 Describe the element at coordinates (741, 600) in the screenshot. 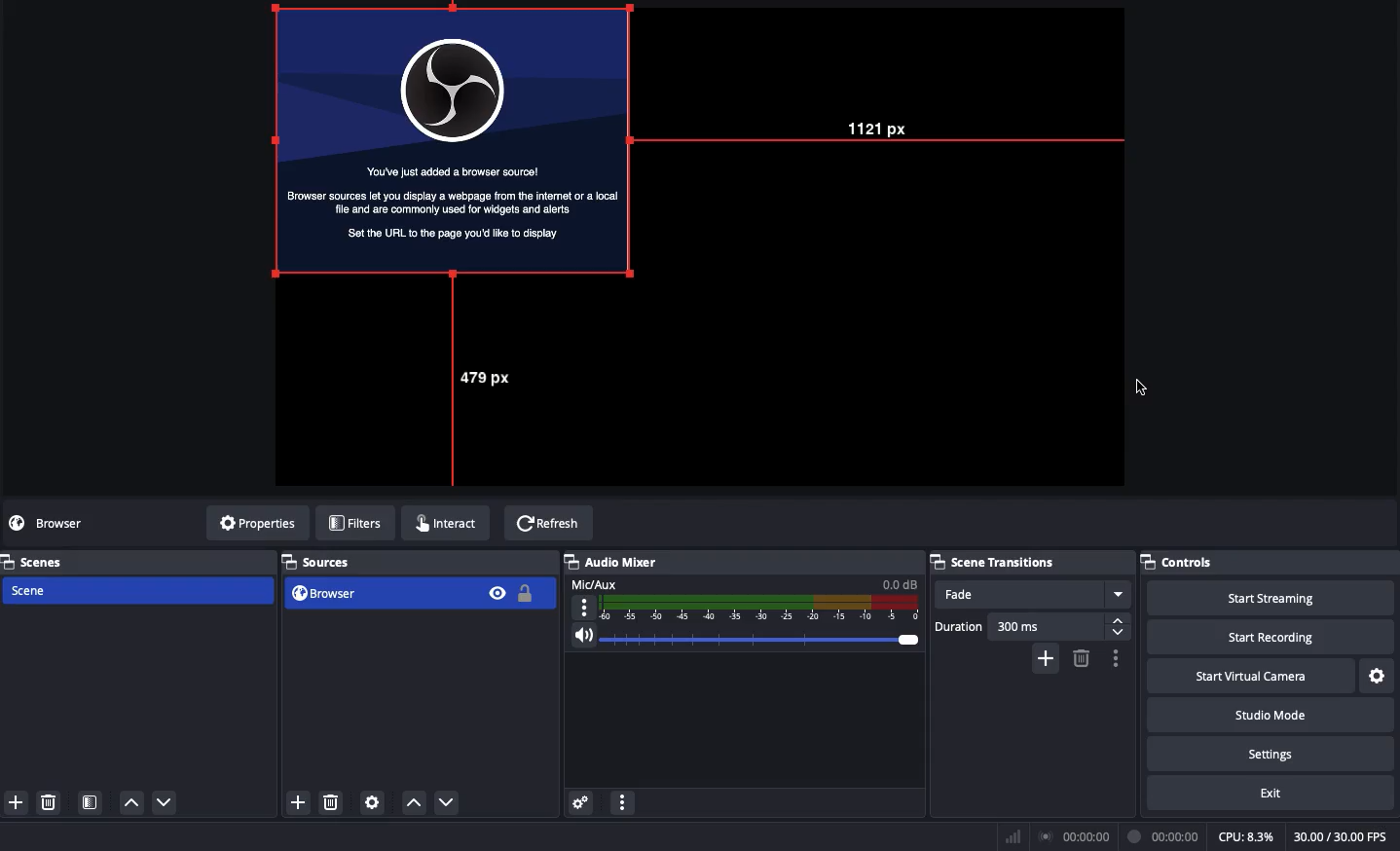

I see `Mic aux` at that location.